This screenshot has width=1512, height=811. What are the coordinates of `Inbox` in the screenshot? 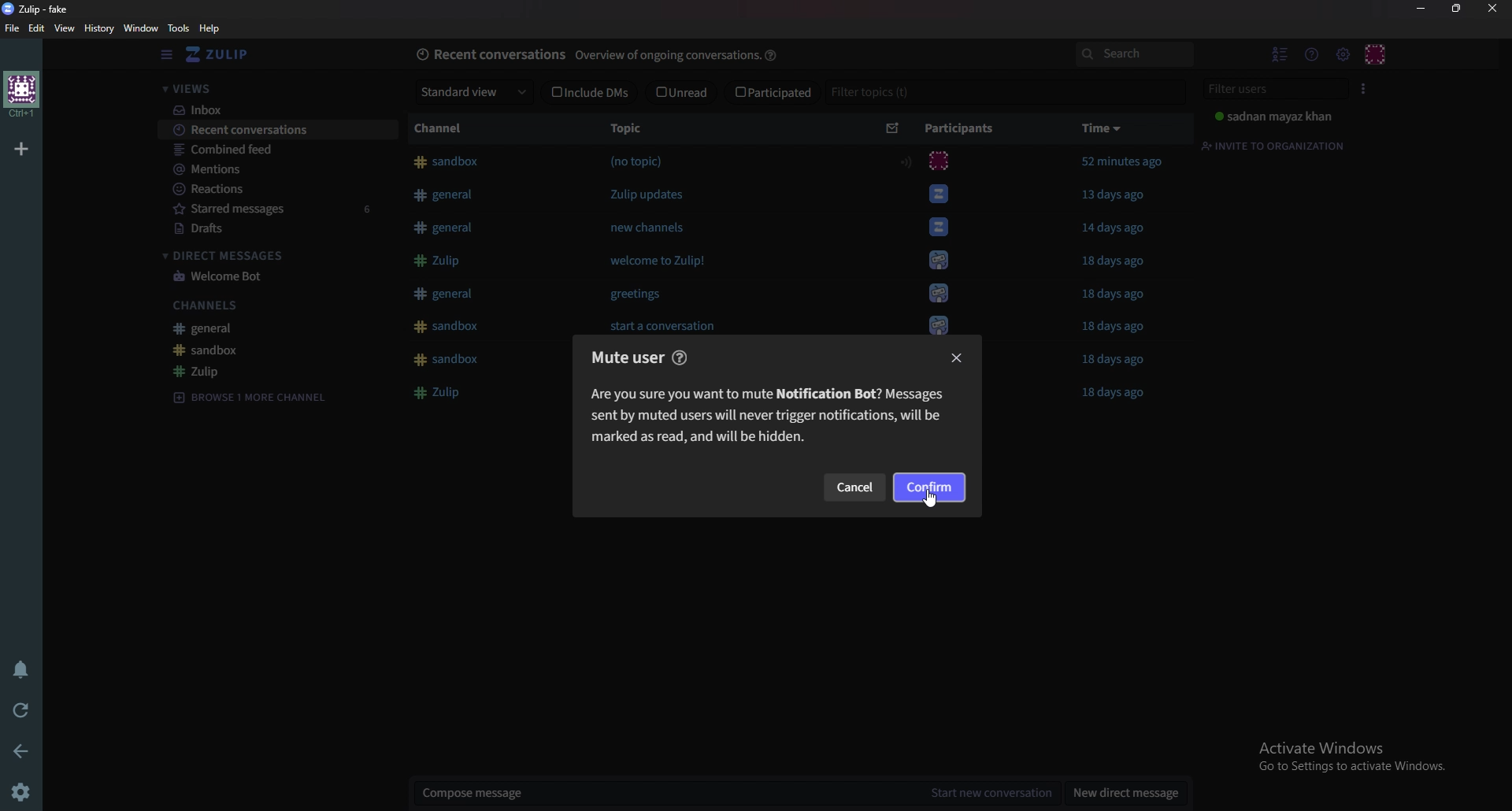 It's located at (272, 111).